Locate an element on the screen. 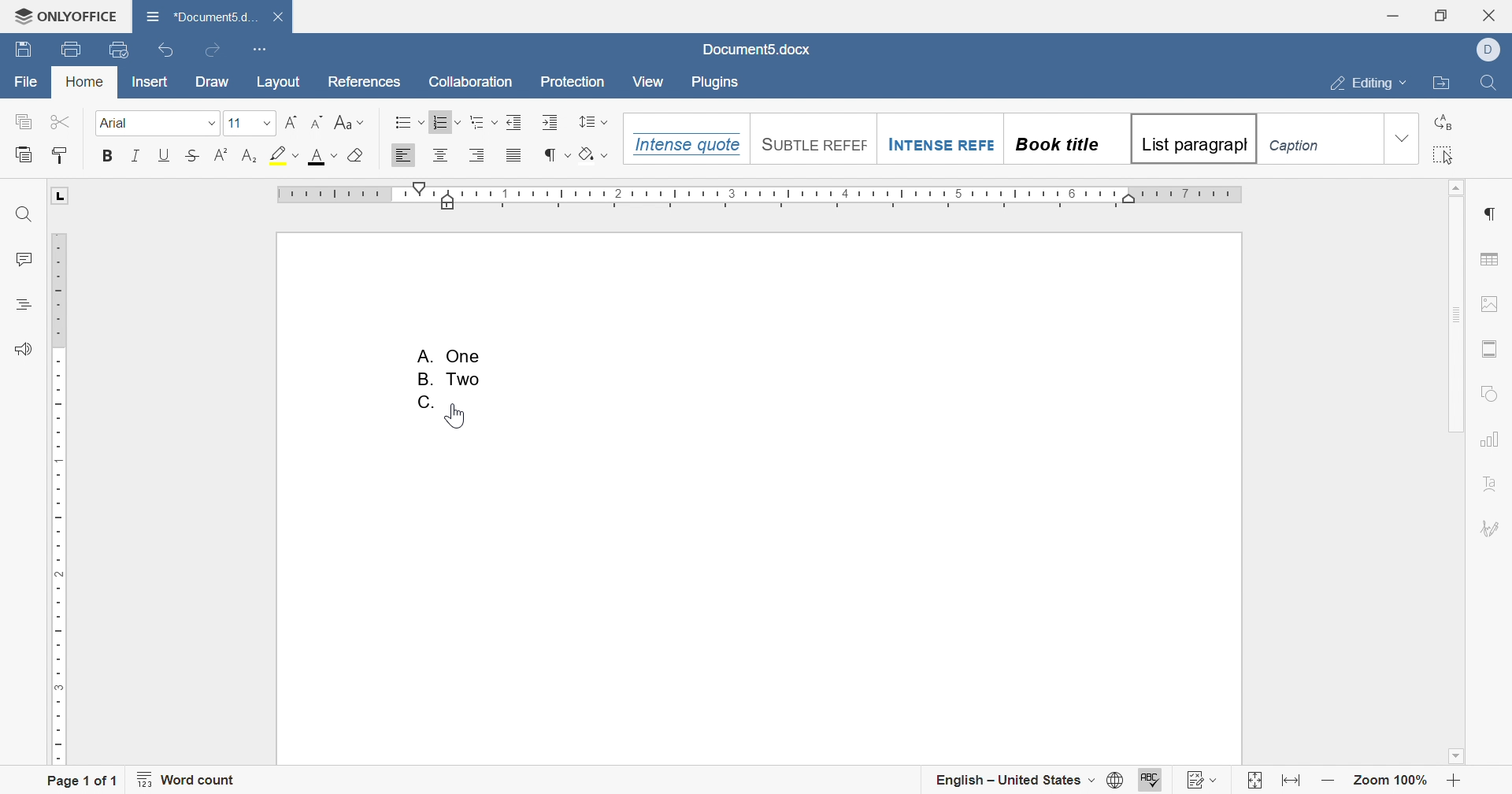 The height and width of the screenshot is (794, 1512). Decrement font size is located at coordinates (317, 122).